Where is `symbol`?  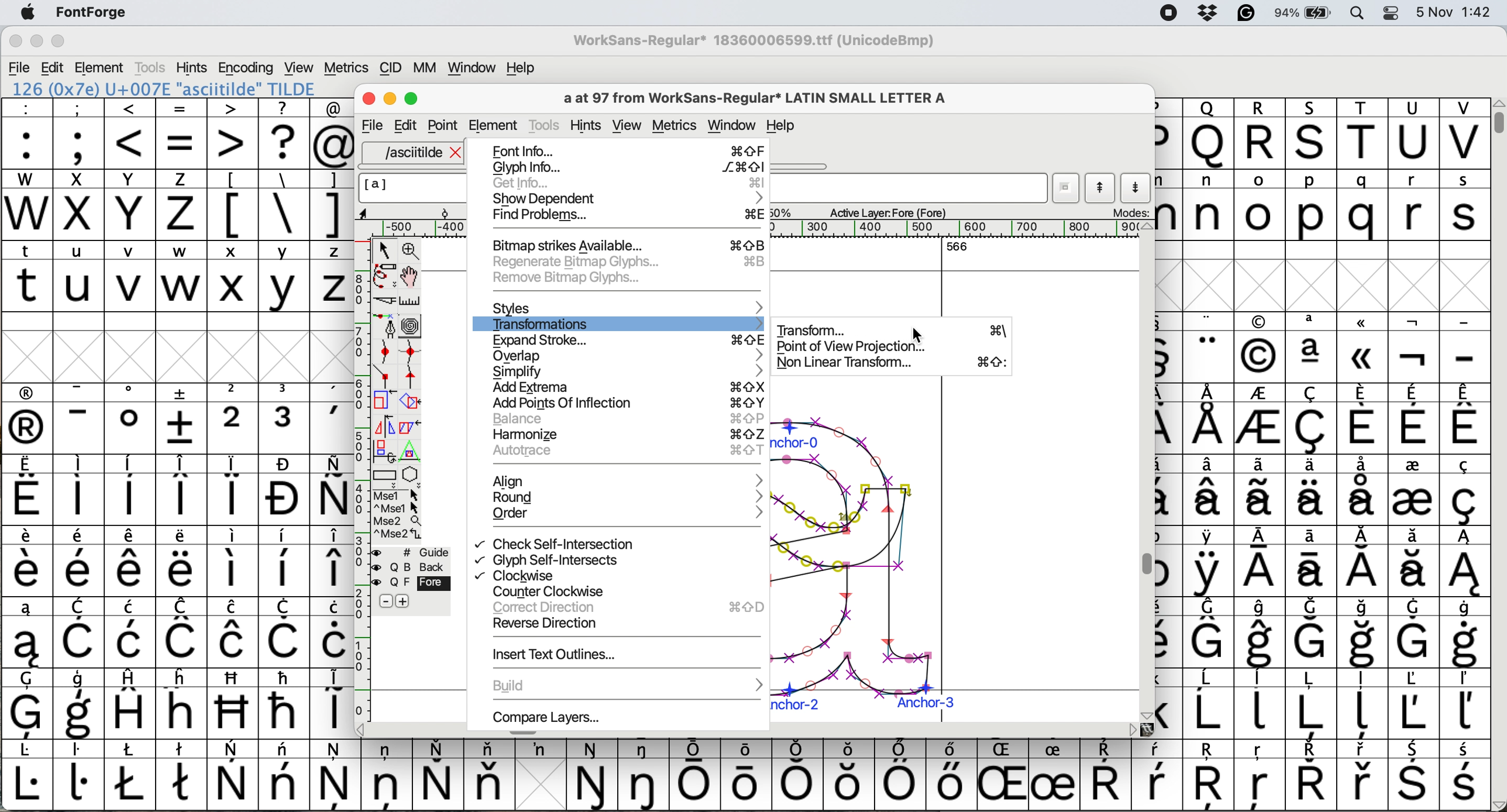
symbol is located at coordinates (1262, 490).